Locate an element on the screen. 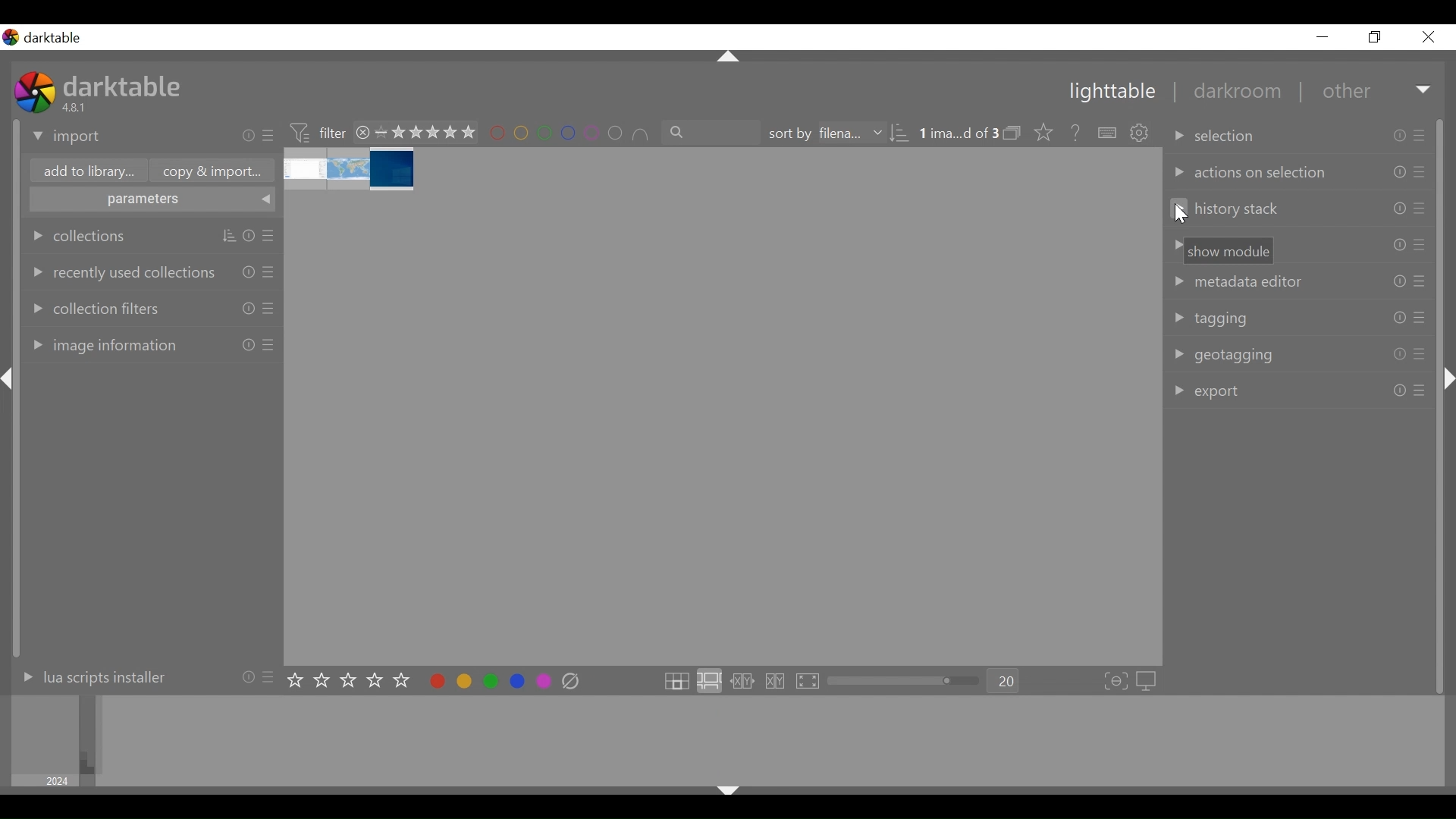 This screenshot has height=819, width=1456. presets is located at coordinates (1421, 244).